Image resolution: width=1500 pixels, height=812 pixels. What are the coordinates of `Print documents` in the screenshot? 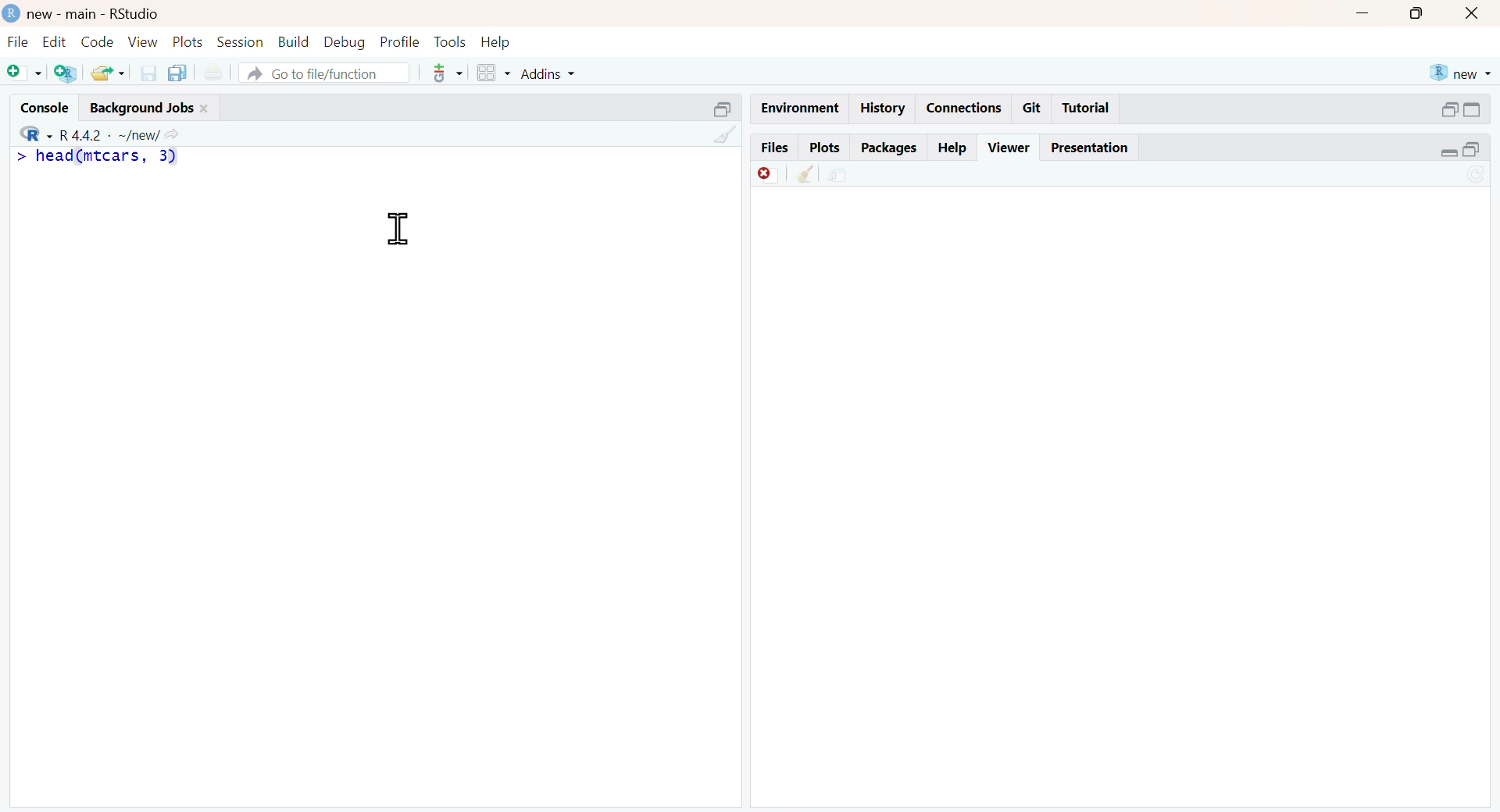 It's located at (217, 69).